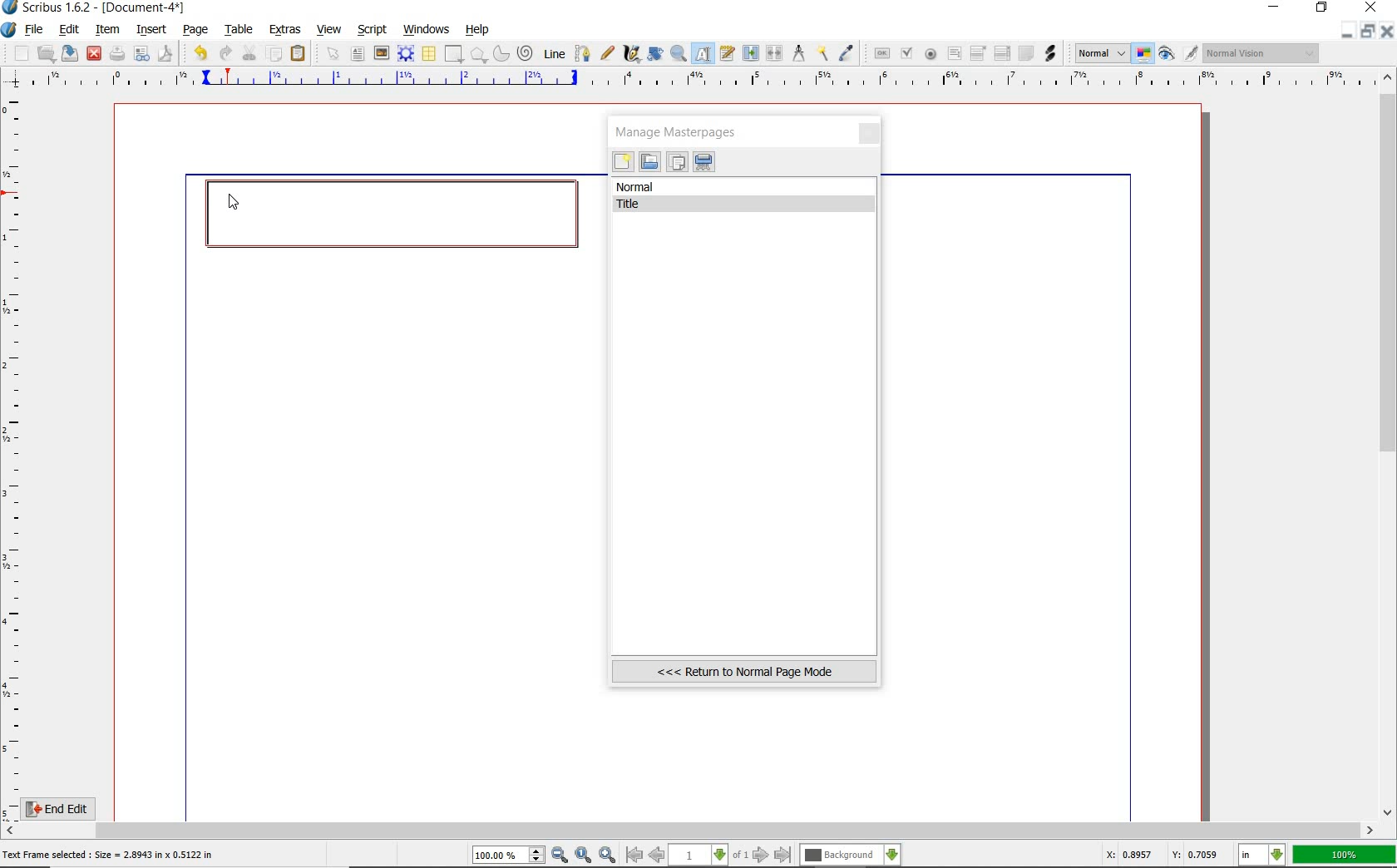 Image resolution: width=1397 pixels, height=868 pixels. What do you see at coordinates (1050, 52) in the screenshot?
I see `link annotation` at bounding box center [1050, 52].